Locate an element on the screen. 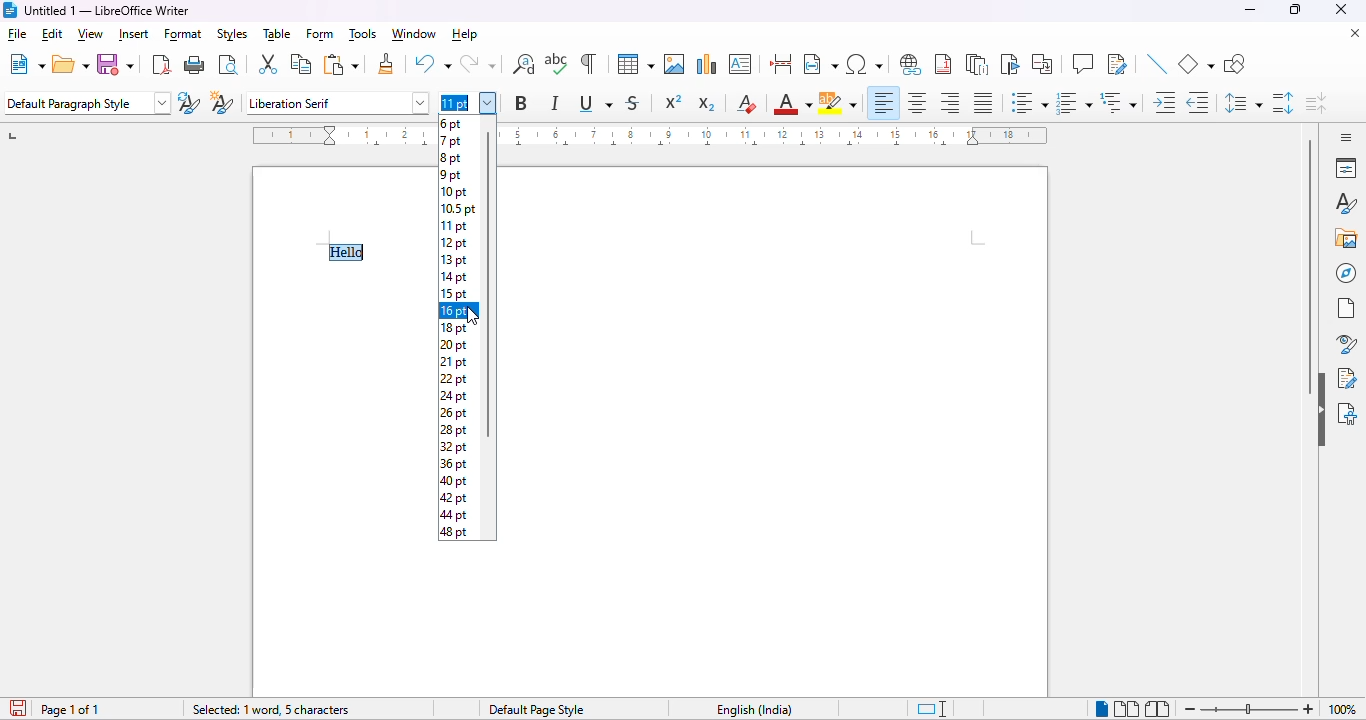 This screenshot has width=1366, height=720. tools is located at coordinates (362, 34).